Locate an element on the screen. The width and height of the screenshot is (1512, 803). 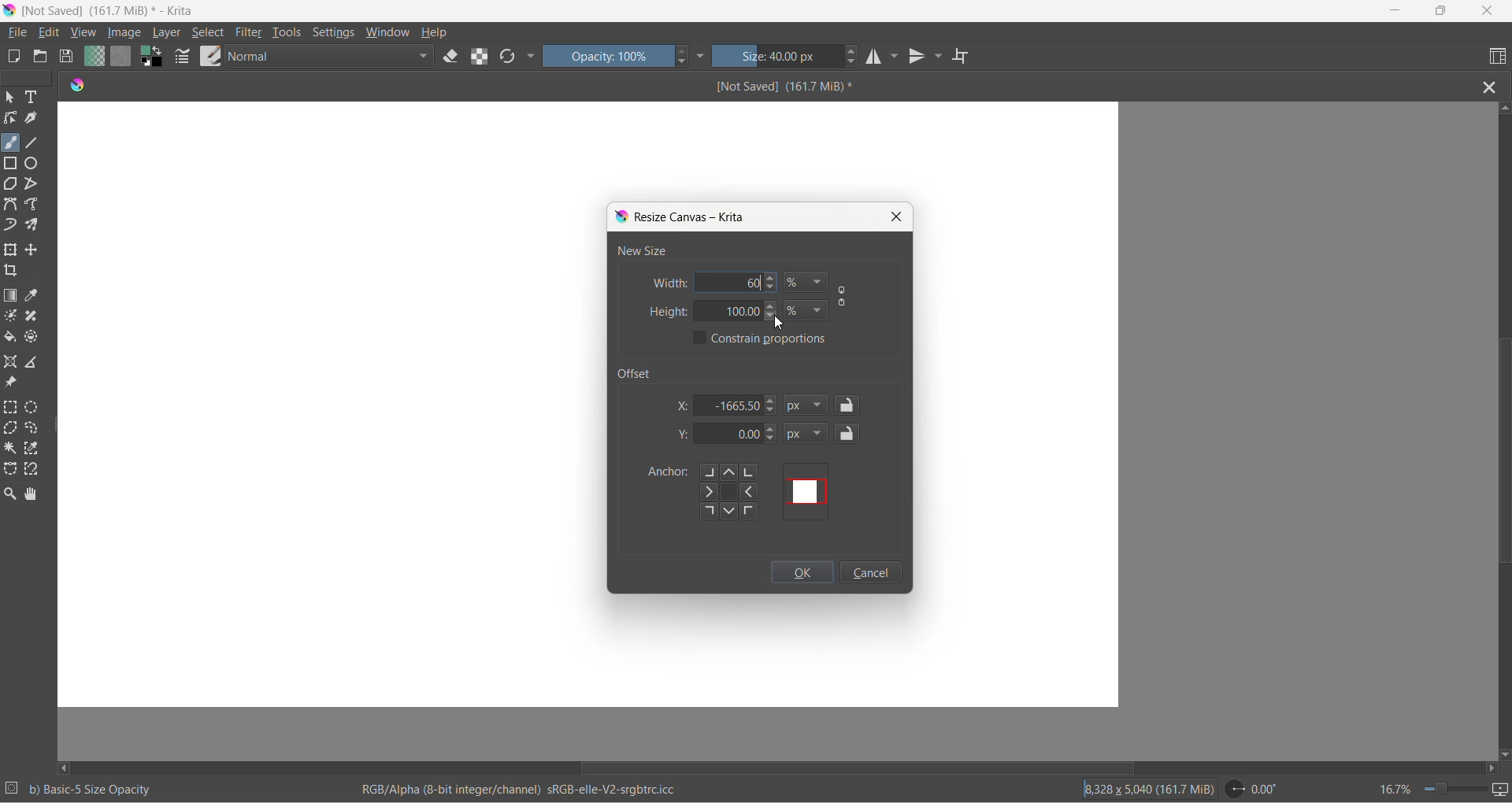
area and storage size is located at coordinates (1149, 788).